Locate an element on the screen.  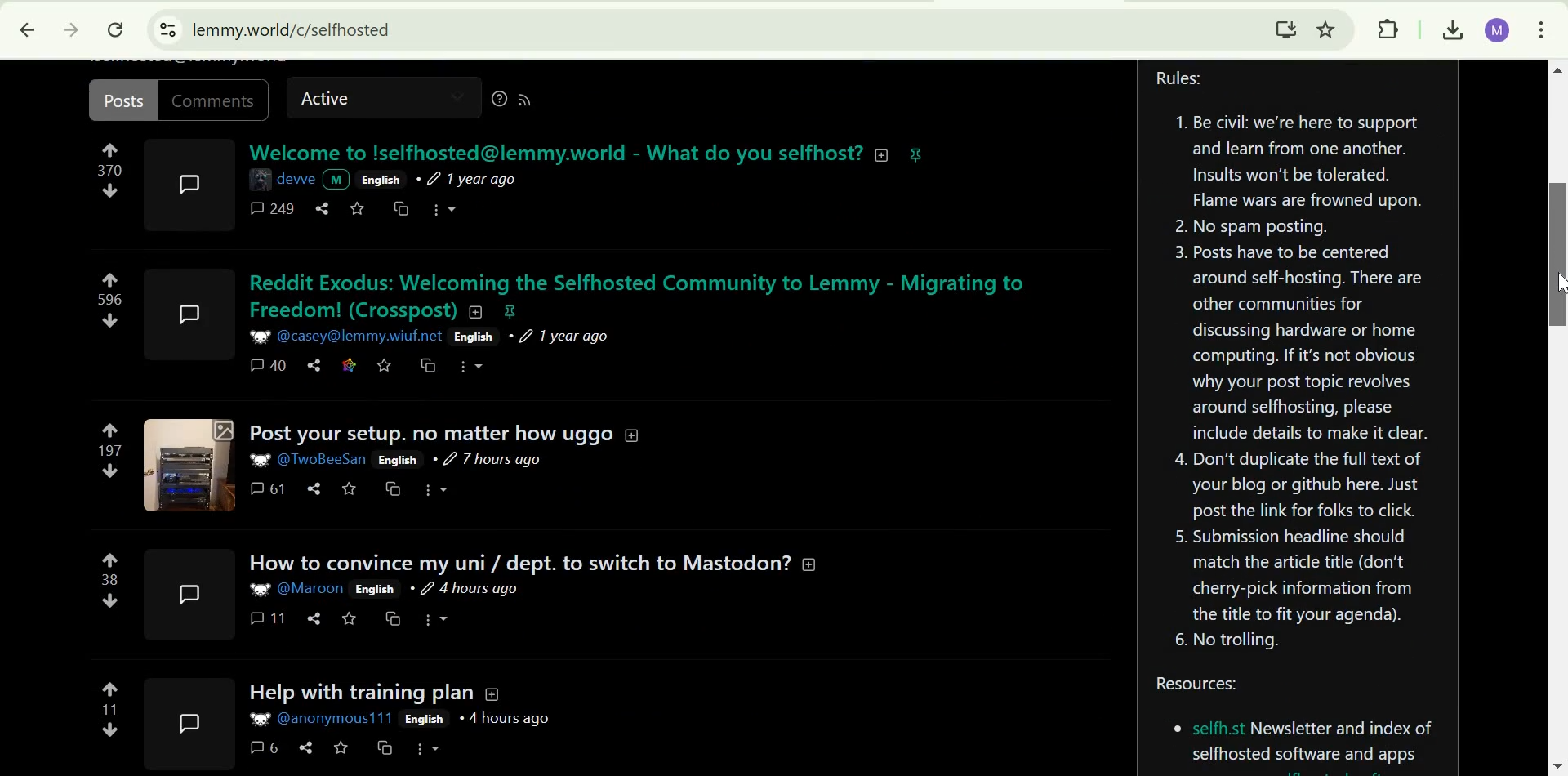
1 year ago is located at coordinates (563, 337).